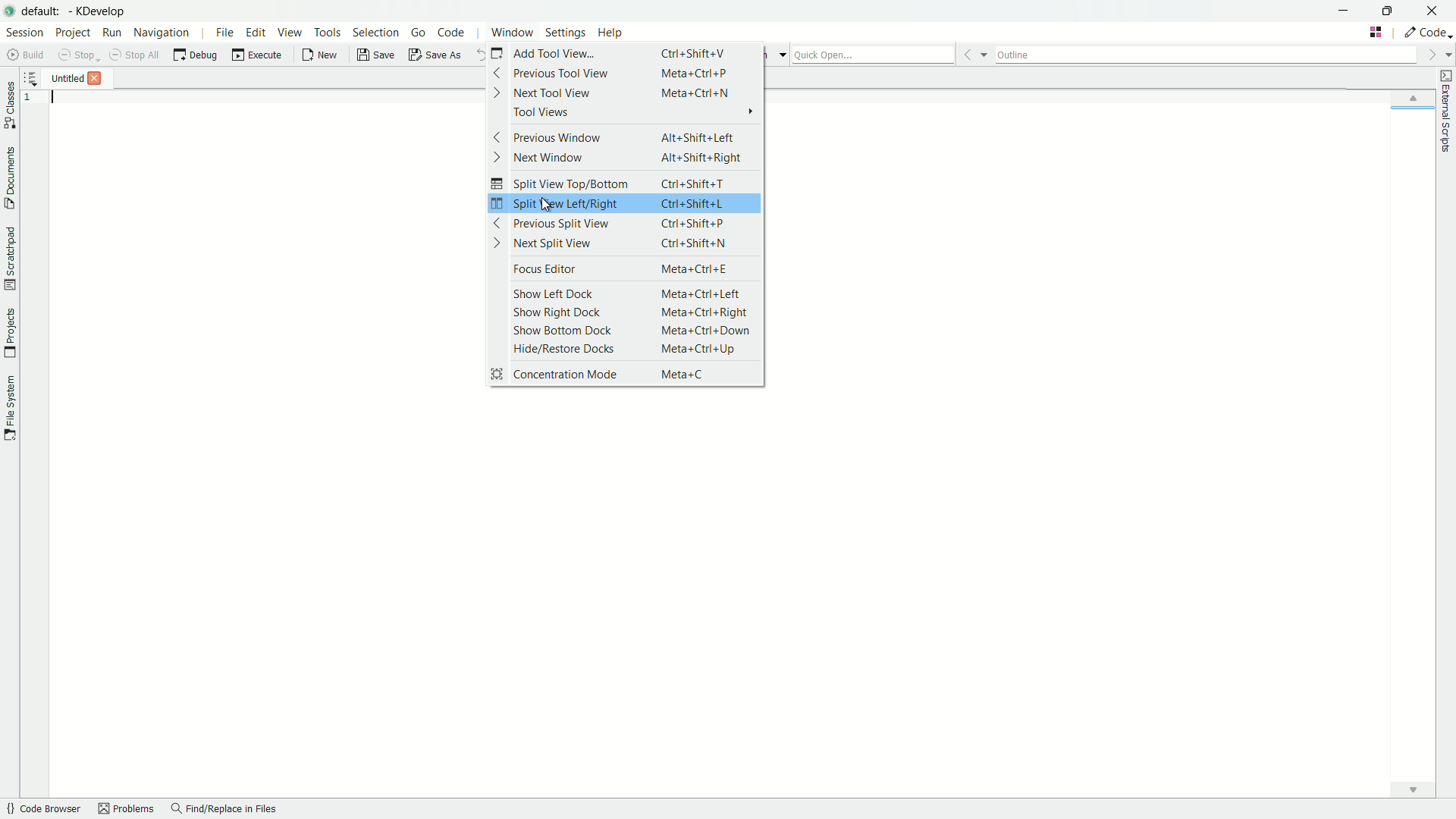 The width and height of the screenshot is (1456, 819). What do you see at coordinates (1344, 11) in the screenshot?
I see `minimize` at bounding box center [1344, 11].